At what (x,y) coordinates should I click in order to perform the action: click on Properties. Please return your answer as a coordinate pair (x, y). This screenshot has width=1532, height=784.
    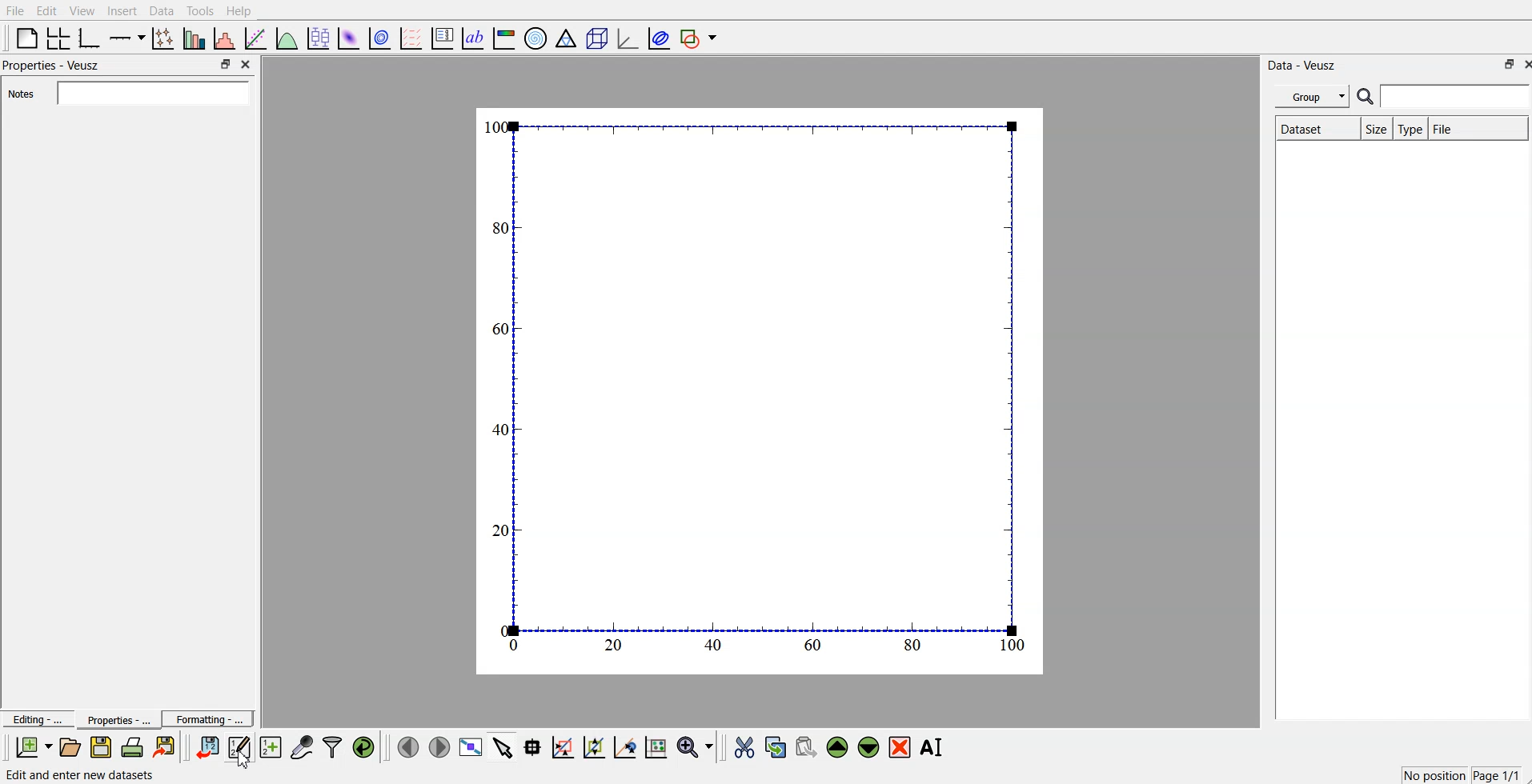
    Looking at the image, I should click on (113, 719).